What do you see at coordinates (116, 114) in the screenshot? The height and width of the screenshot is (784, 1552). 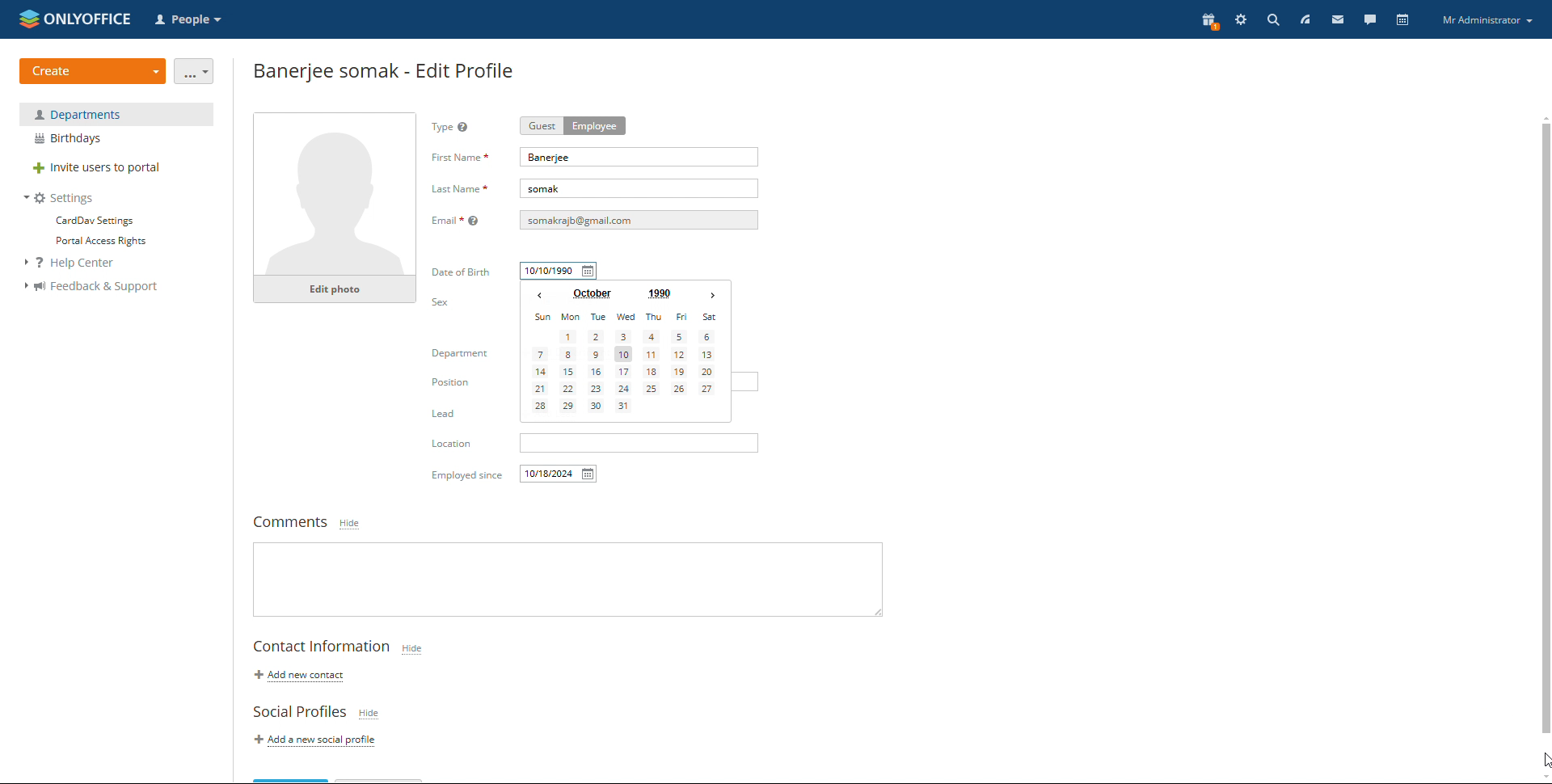 I see `department` at bounding box center [116, 114].